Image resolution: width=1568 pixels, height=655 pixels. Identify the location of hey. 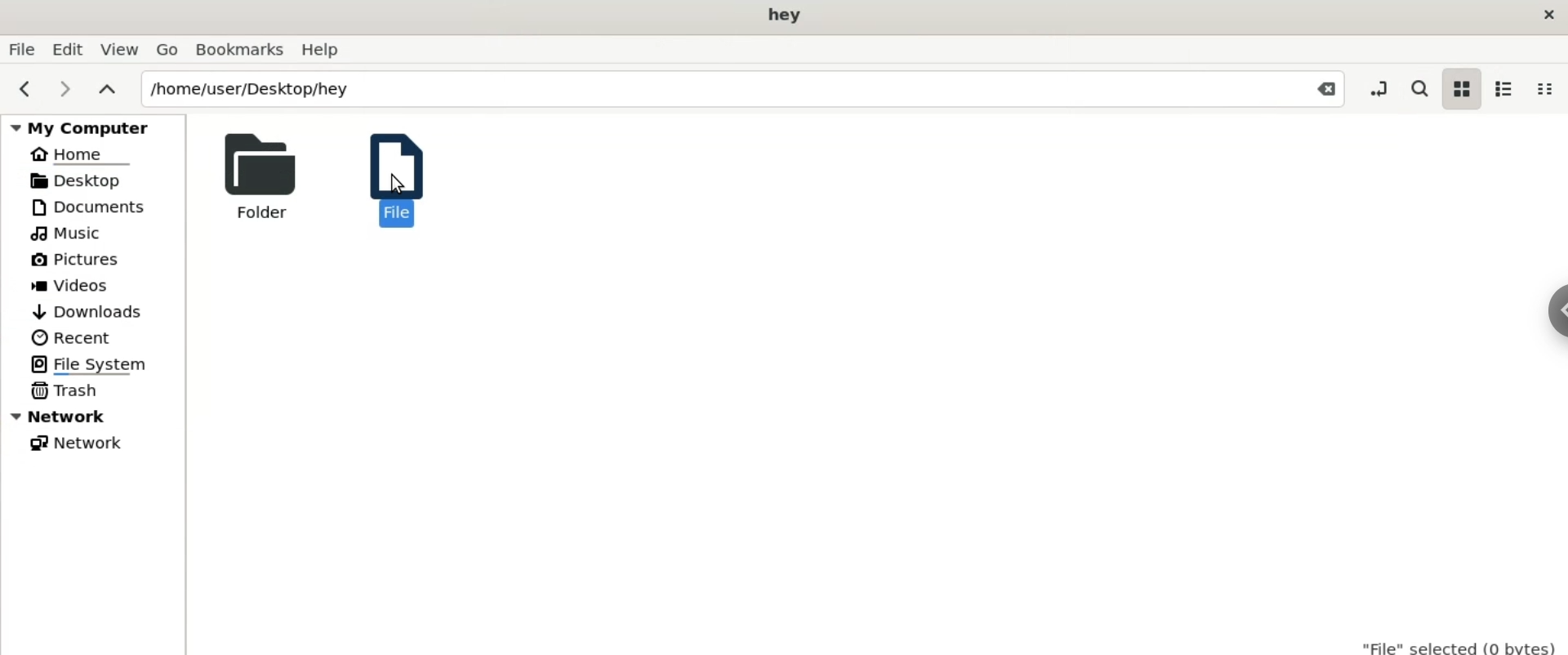
(786, 16).